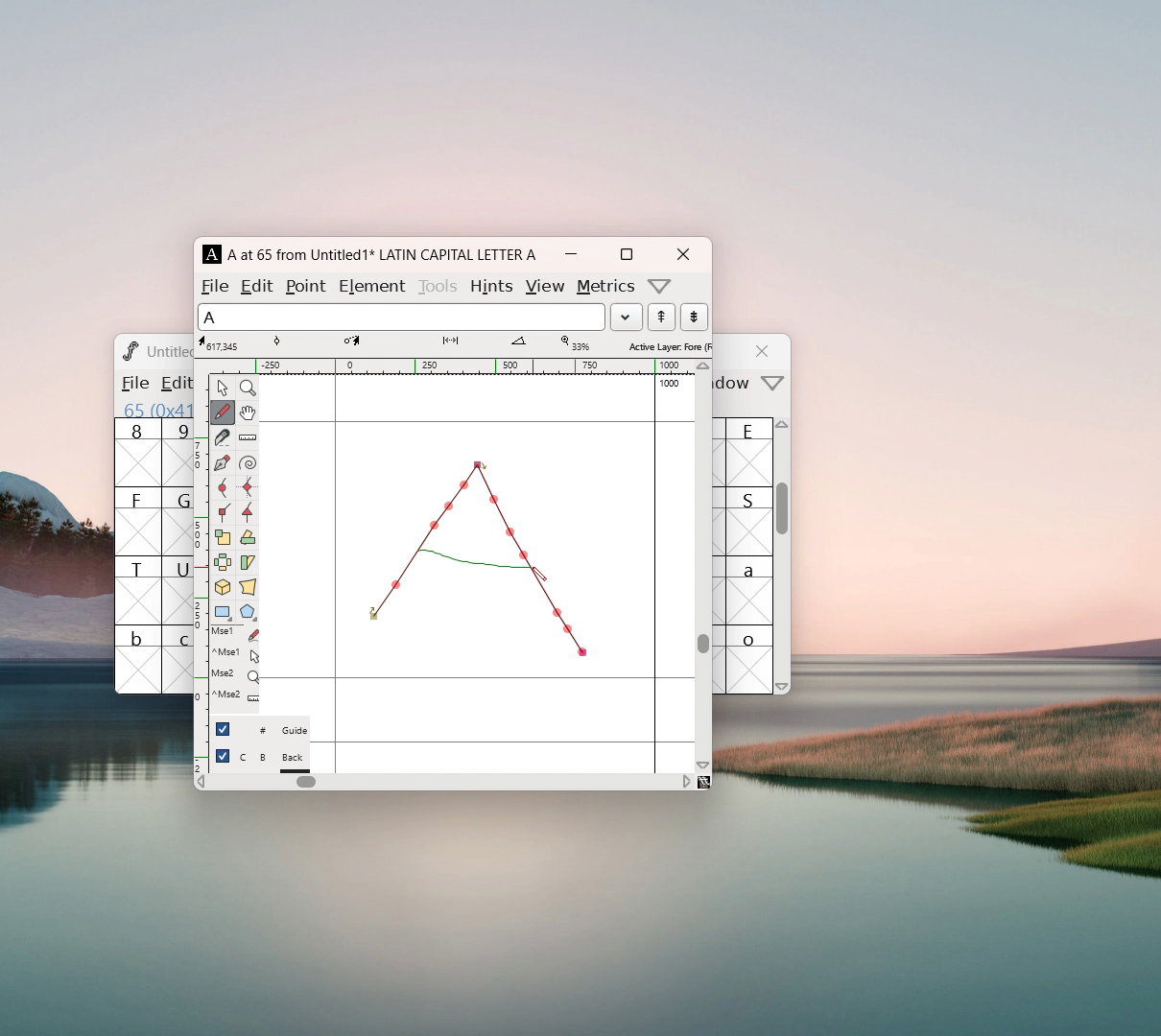 The height and width of the screenshot is (1036, 1161). Describe the element at coordinates (606, 287) in the screenshot. I see `metrics` at that location.